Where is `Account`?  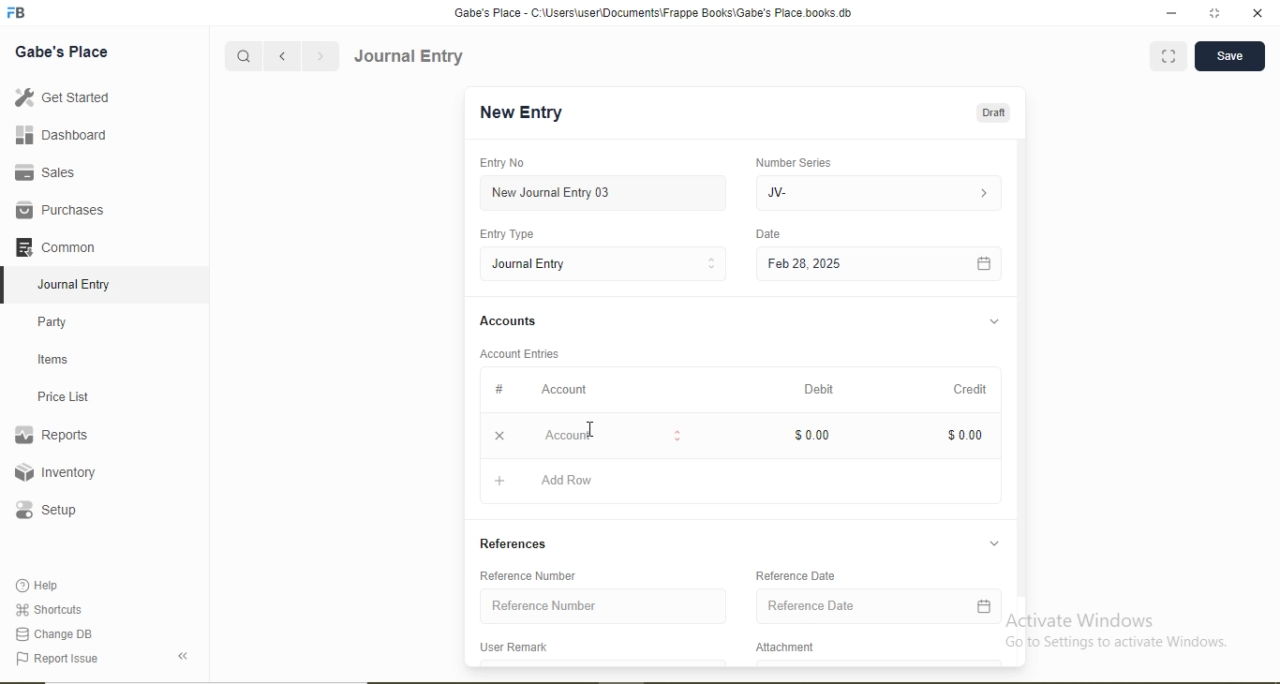
Account is located at coordinates (569, 436).